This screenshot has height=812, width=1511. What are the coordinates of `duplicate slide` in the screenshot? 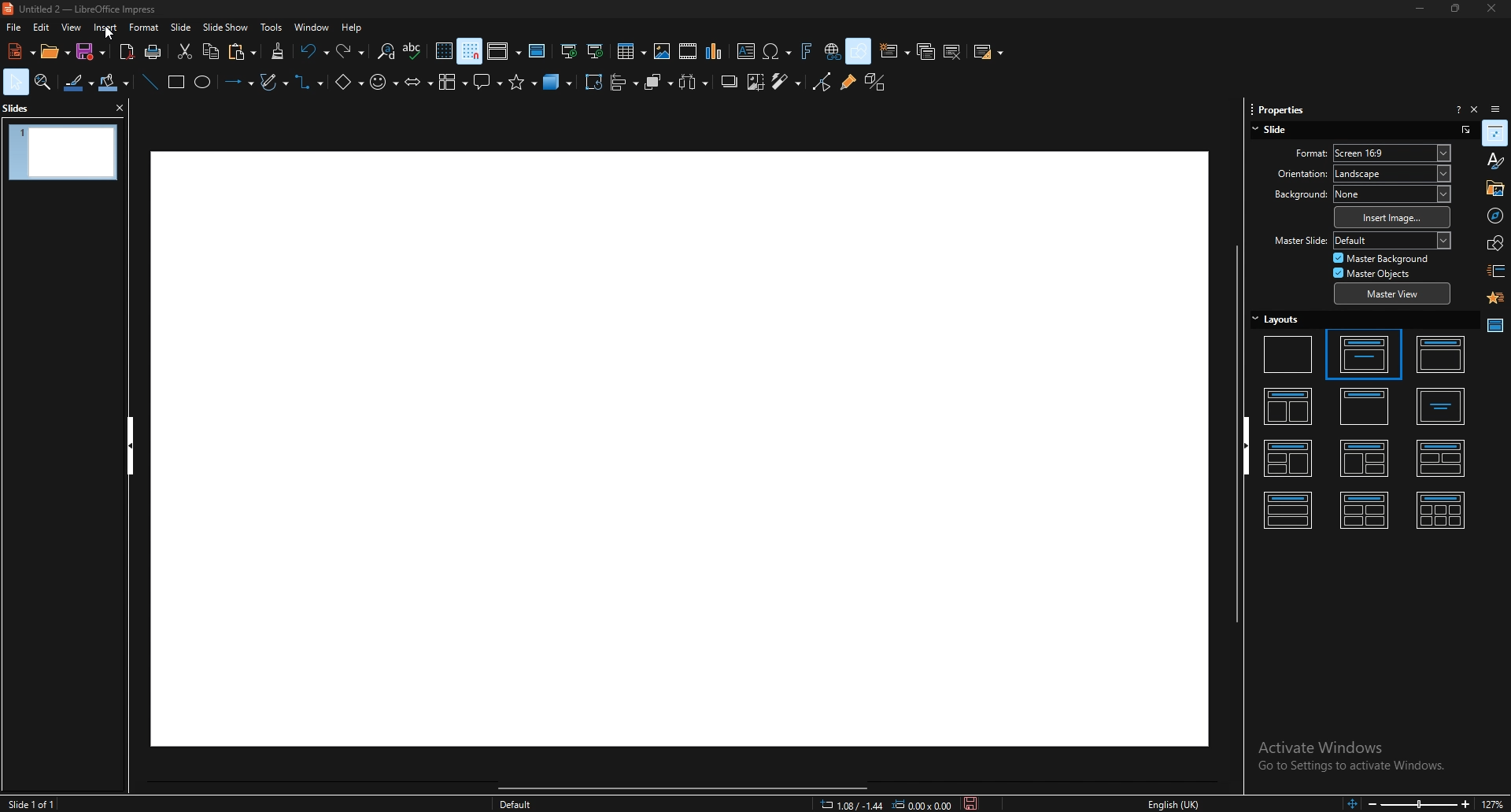 It's located at (926, 51).